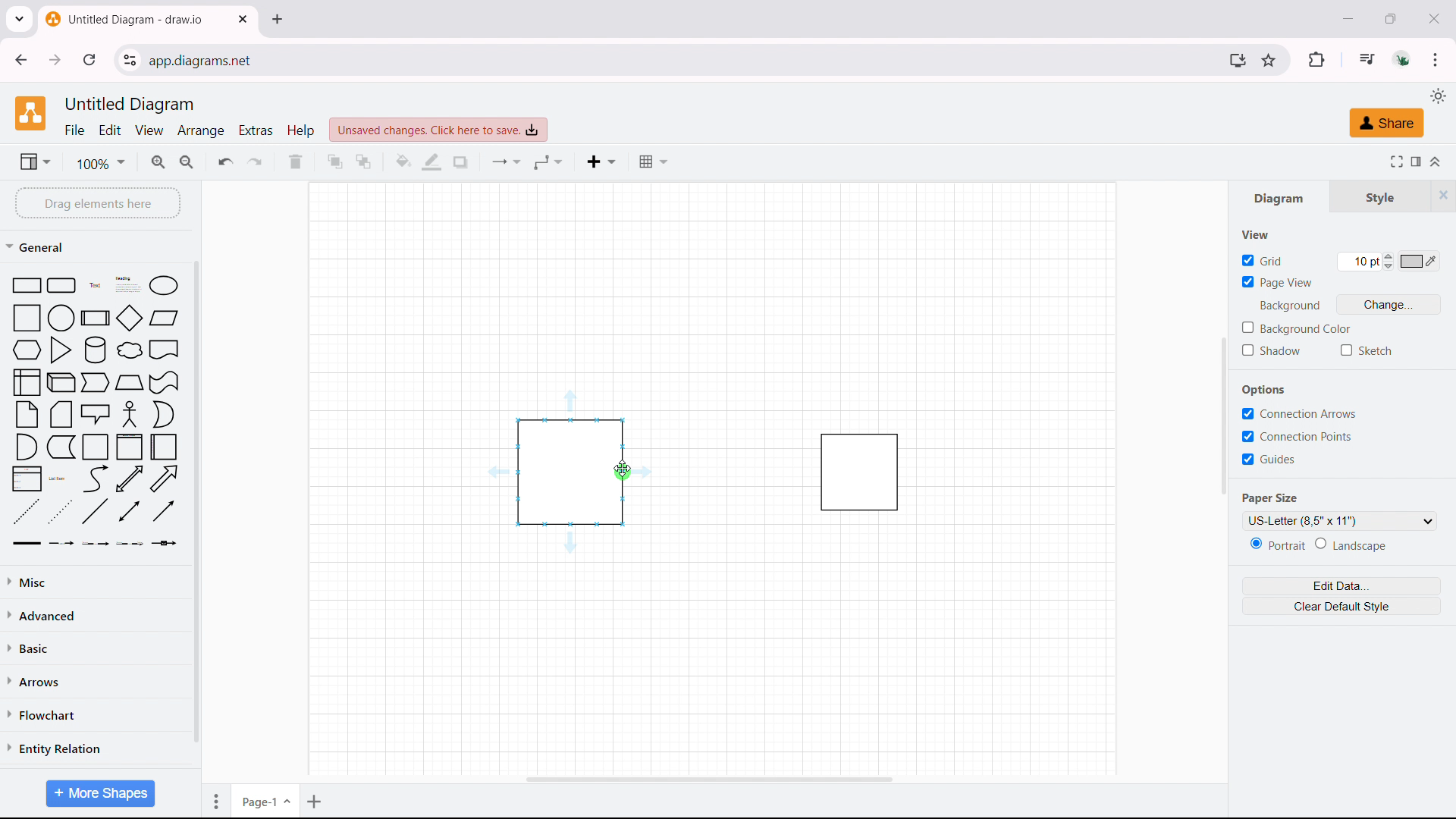 The image size is (1456, 819). Describe the element at coordinates (159, 162) in the screenshot. I see `zoomin` at that location.